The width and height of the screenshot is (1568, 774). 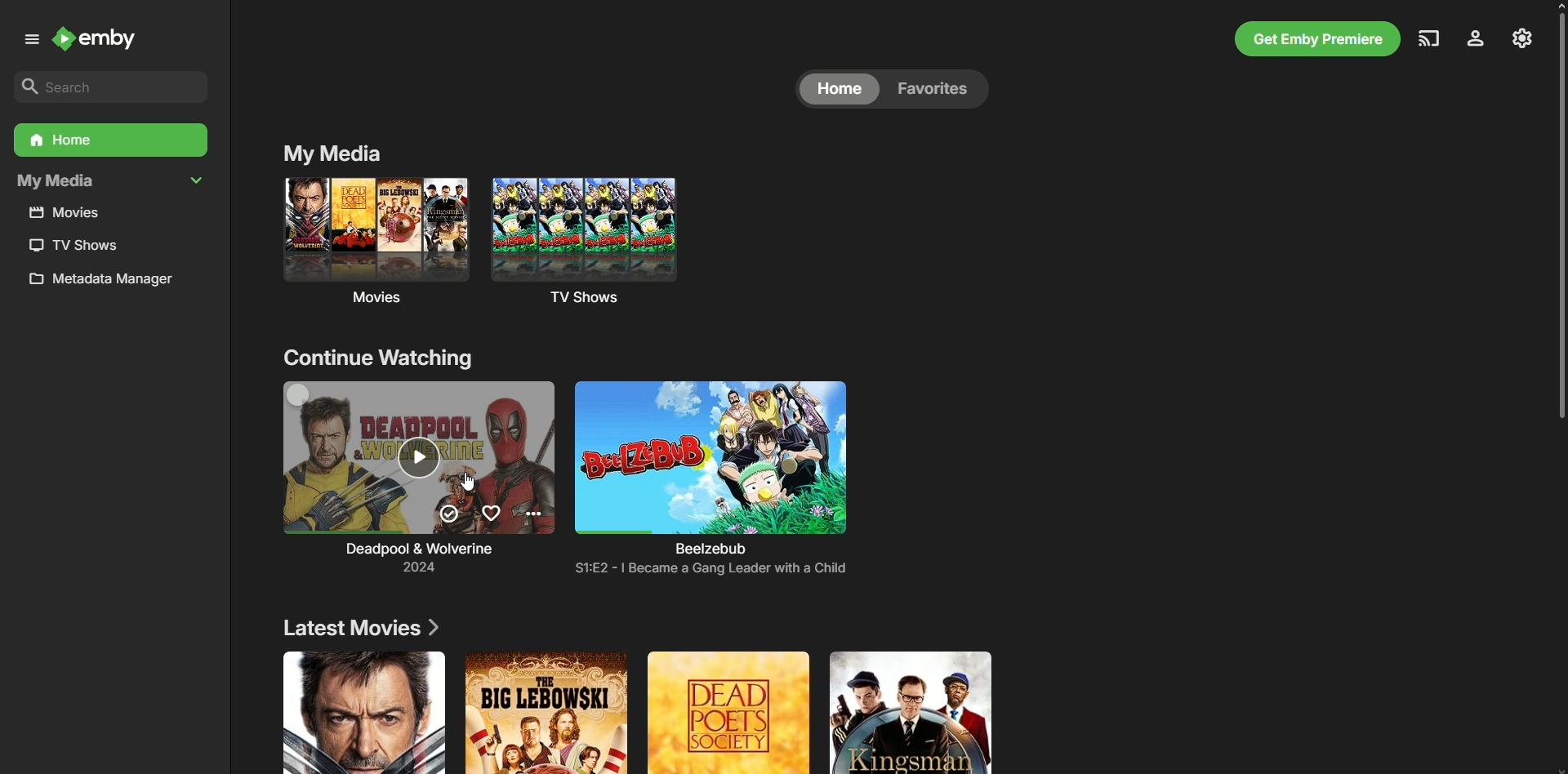 I want to click on My  Media, so click(x=330, y=153).